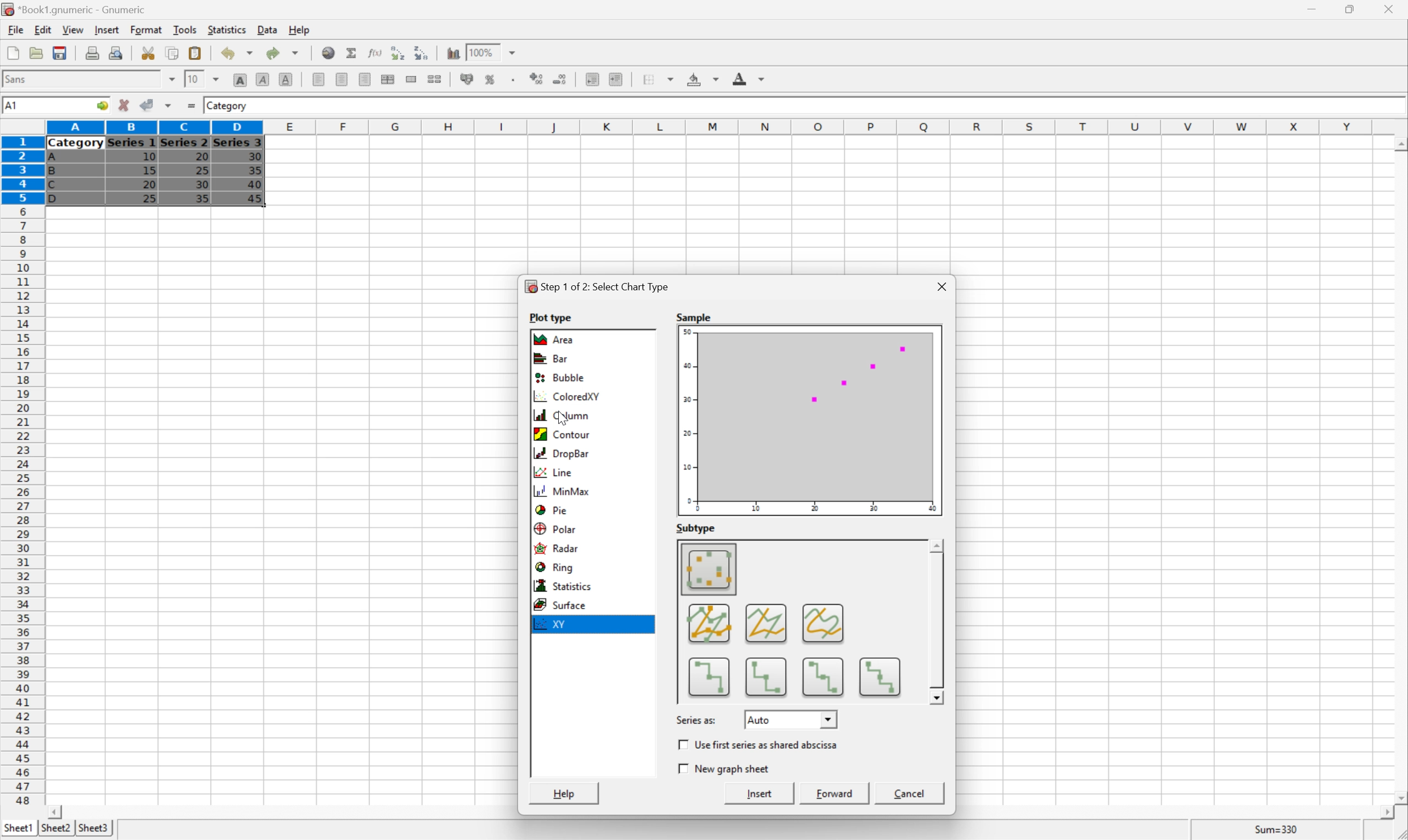  Describe the element at coordinates (21, 470) in the screenshot. I see `Row numbers` at that location.